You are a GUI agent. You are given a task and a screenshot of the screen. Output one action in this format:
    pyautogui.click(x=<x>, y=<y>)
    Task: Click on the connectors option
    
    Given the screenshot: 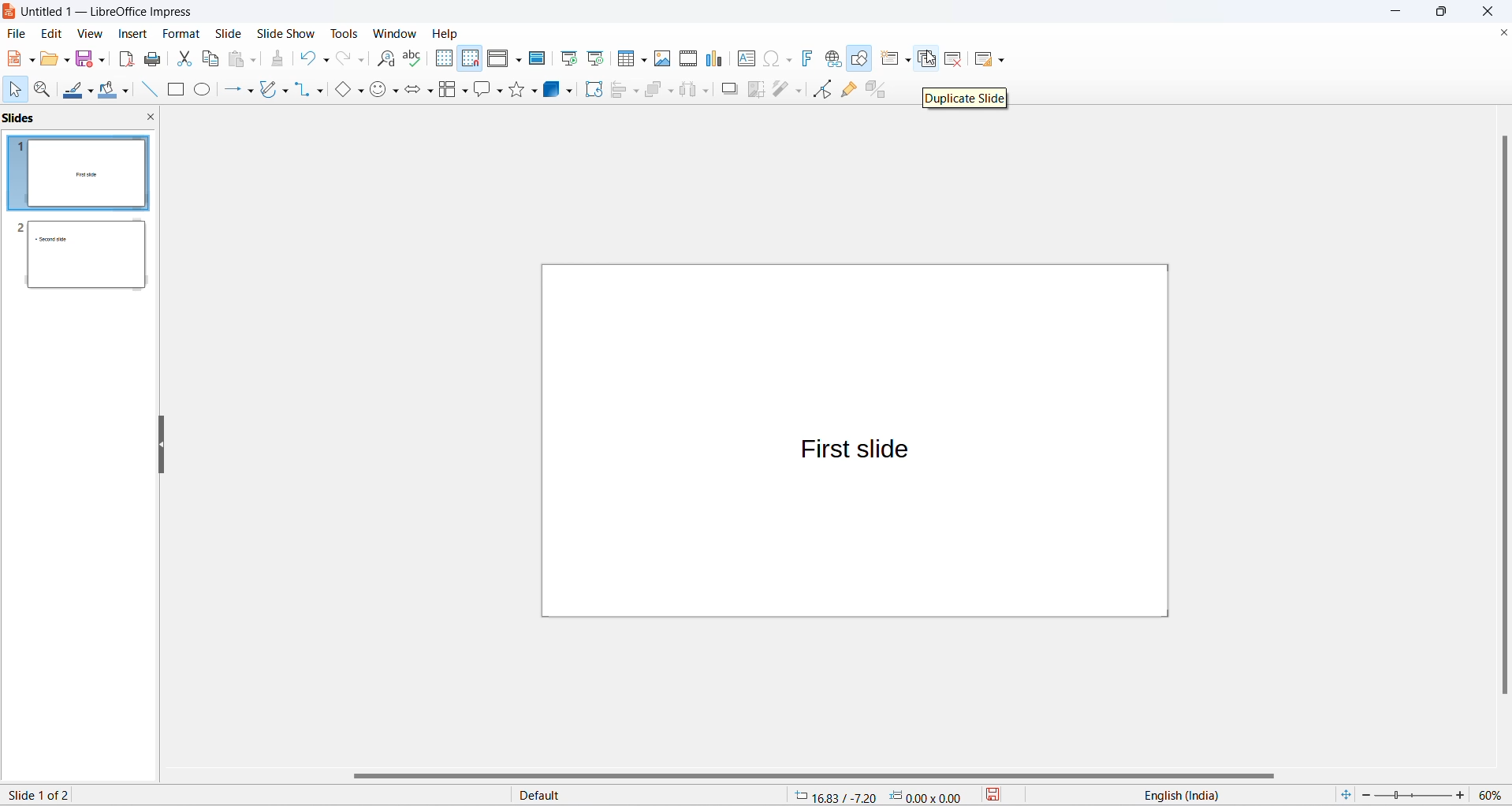 What is the action you would take?
    pyautogui.click(x=321, y=94)
    